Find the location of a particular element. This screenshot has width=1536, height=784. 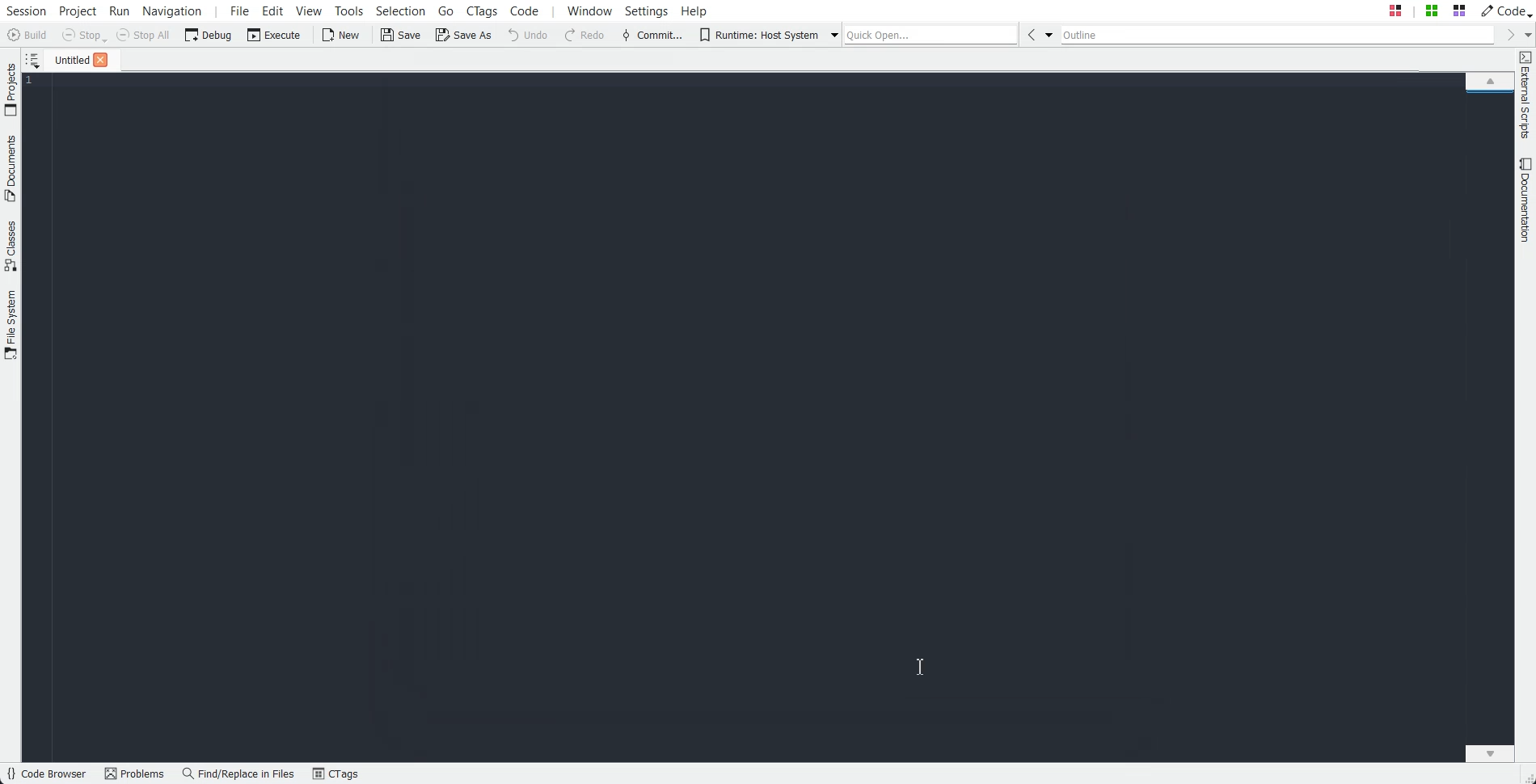

Close is located at coordinates (100, 60).